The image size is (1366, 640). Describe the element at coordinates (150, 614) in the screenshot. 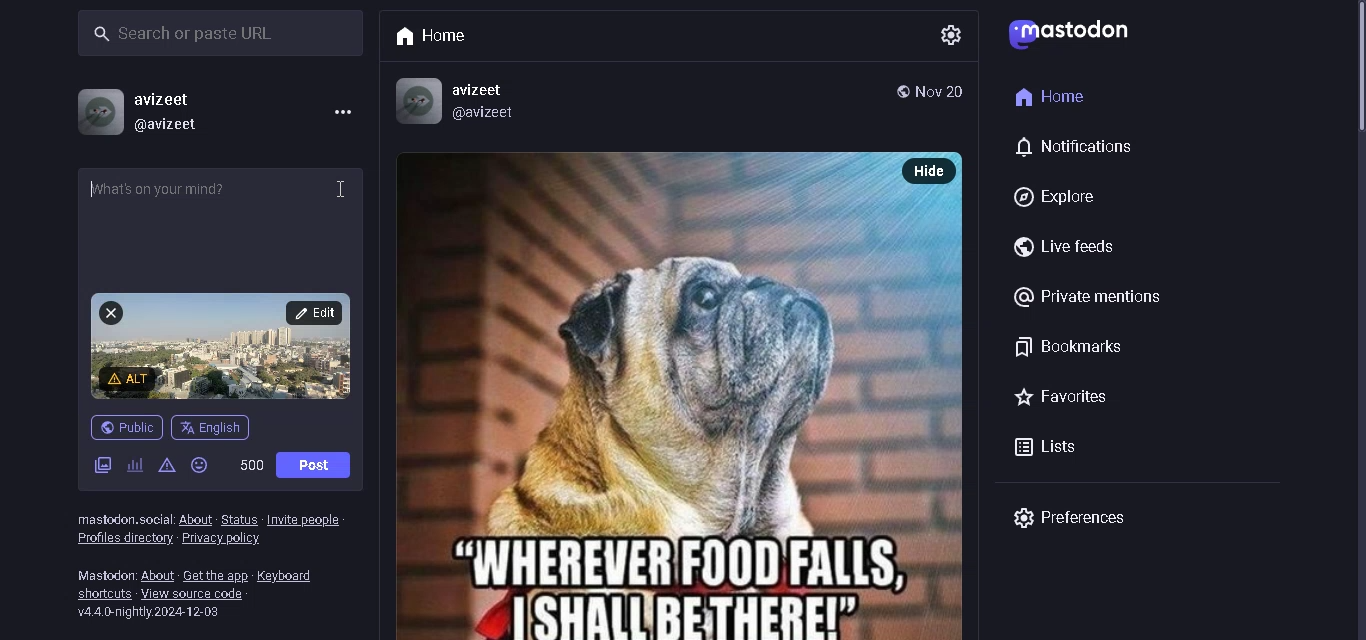

I see `version` at that location.